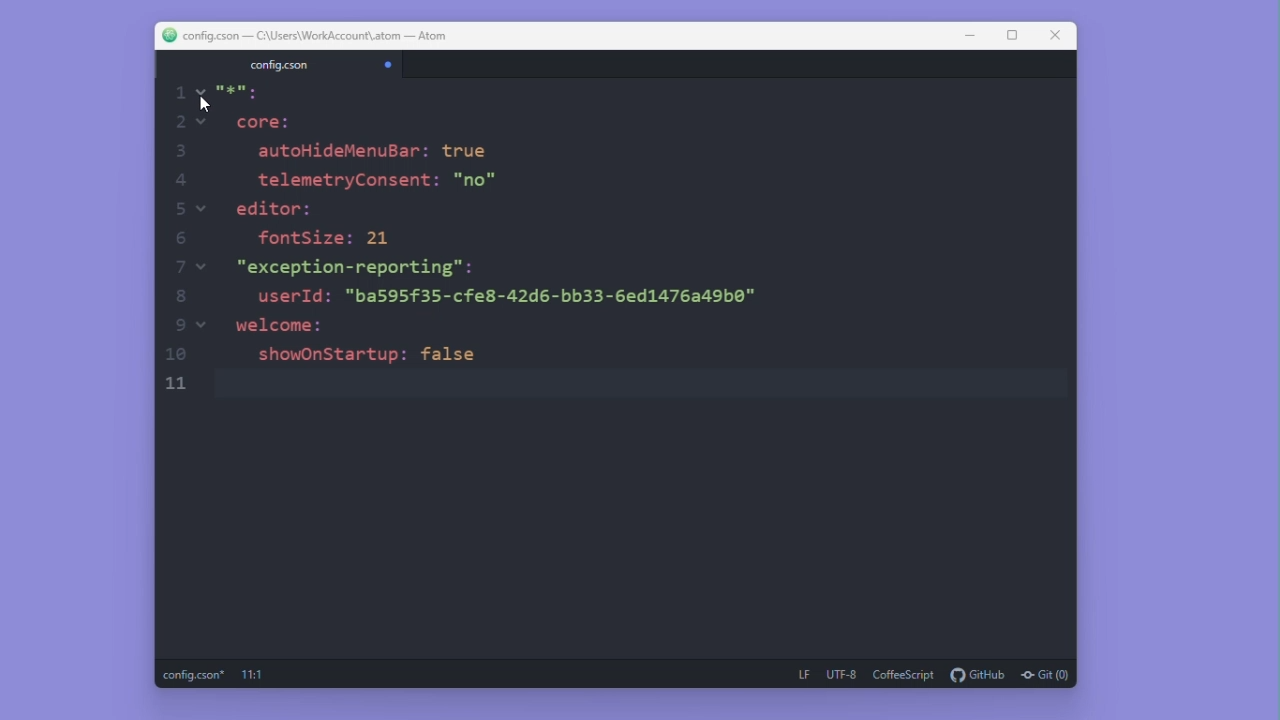 This screenshot has width=1280, height=720. Describe the element at coordinates (970, 36) in the screenshot. I see `Minimise` at that location.